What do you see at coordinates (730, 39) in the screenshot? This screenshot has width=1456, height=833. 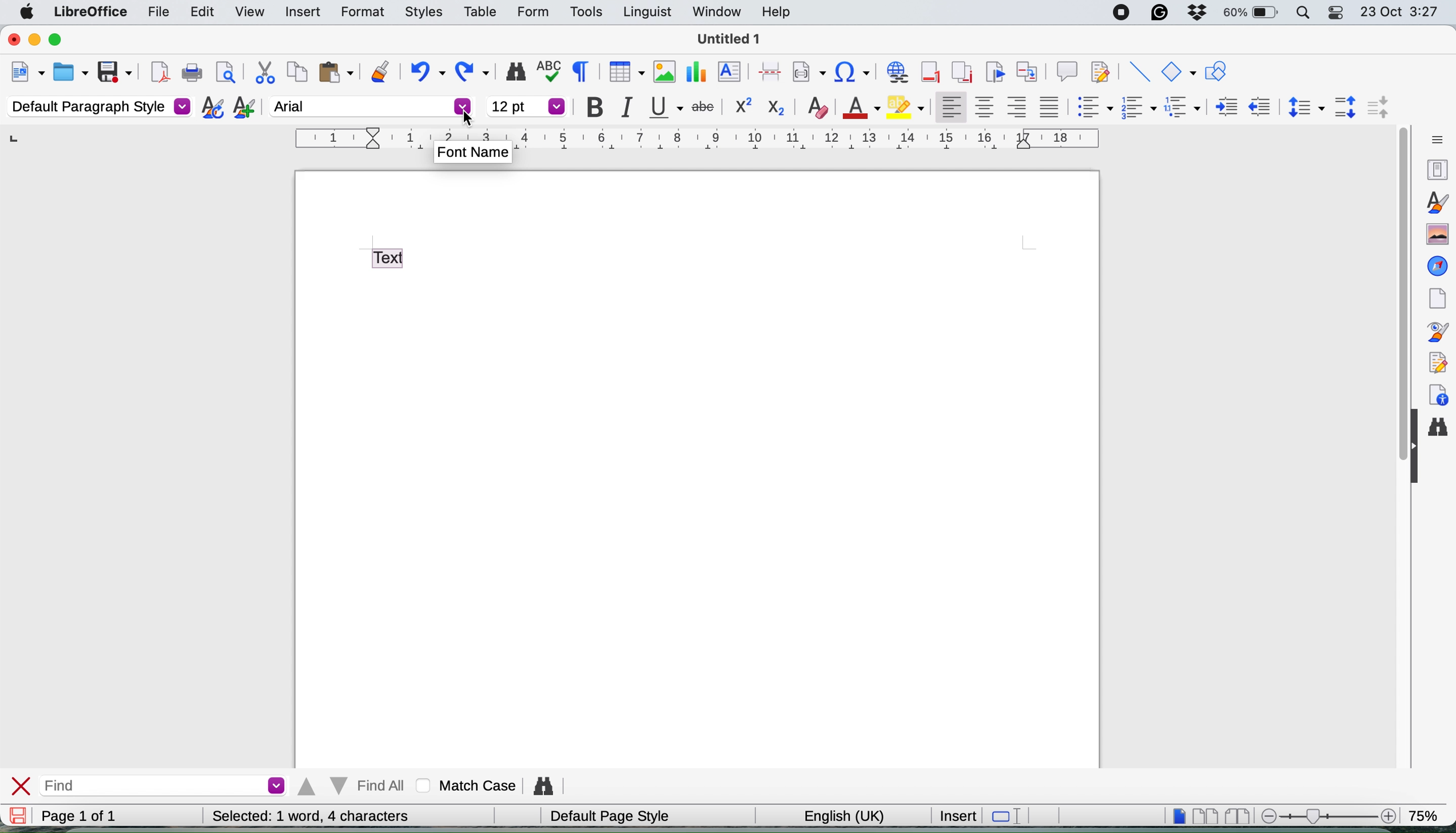 I see `file name` at bounding box center [730, 39].